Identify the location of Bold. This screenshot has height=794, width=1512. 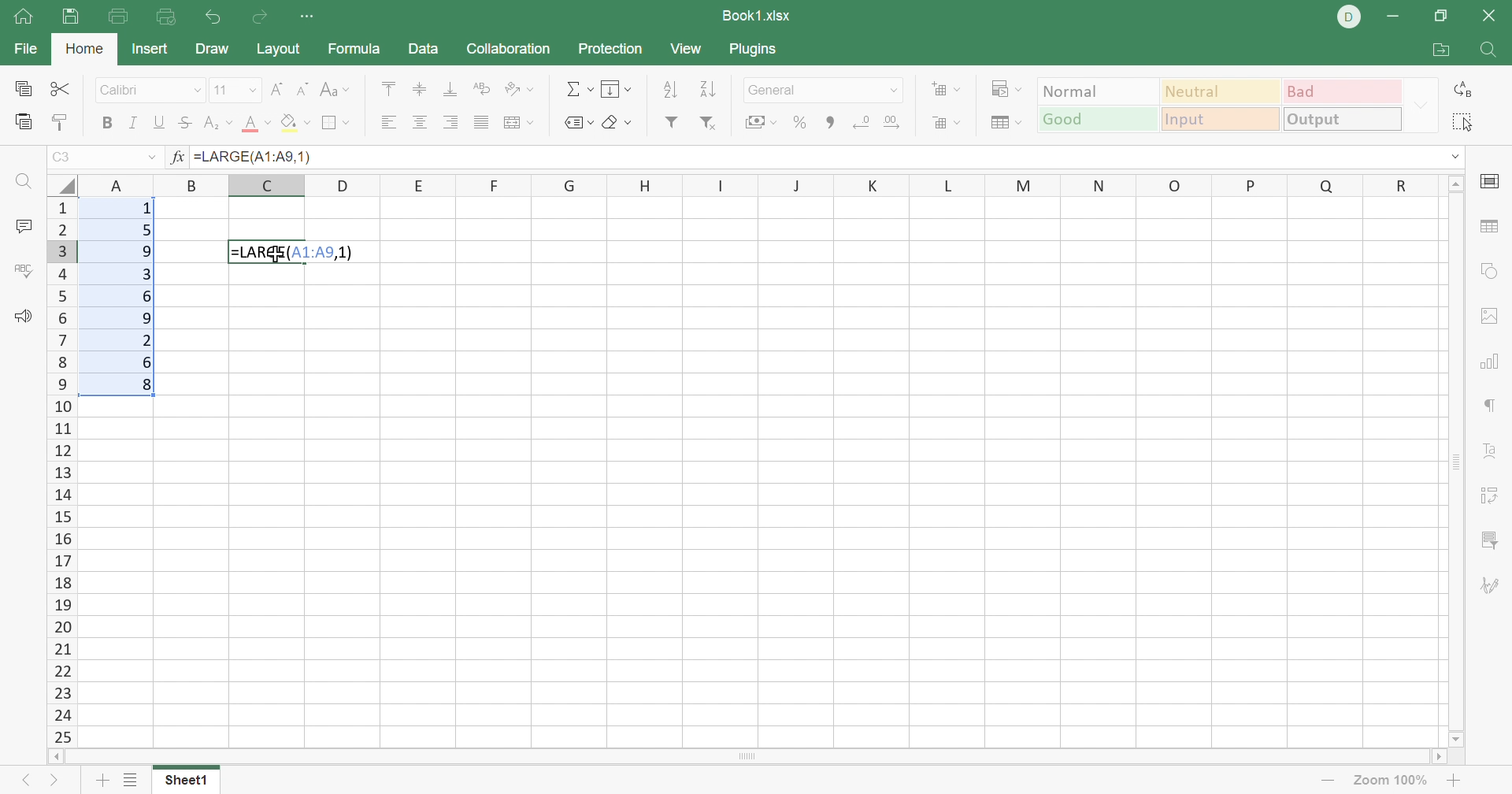
(105, 121).